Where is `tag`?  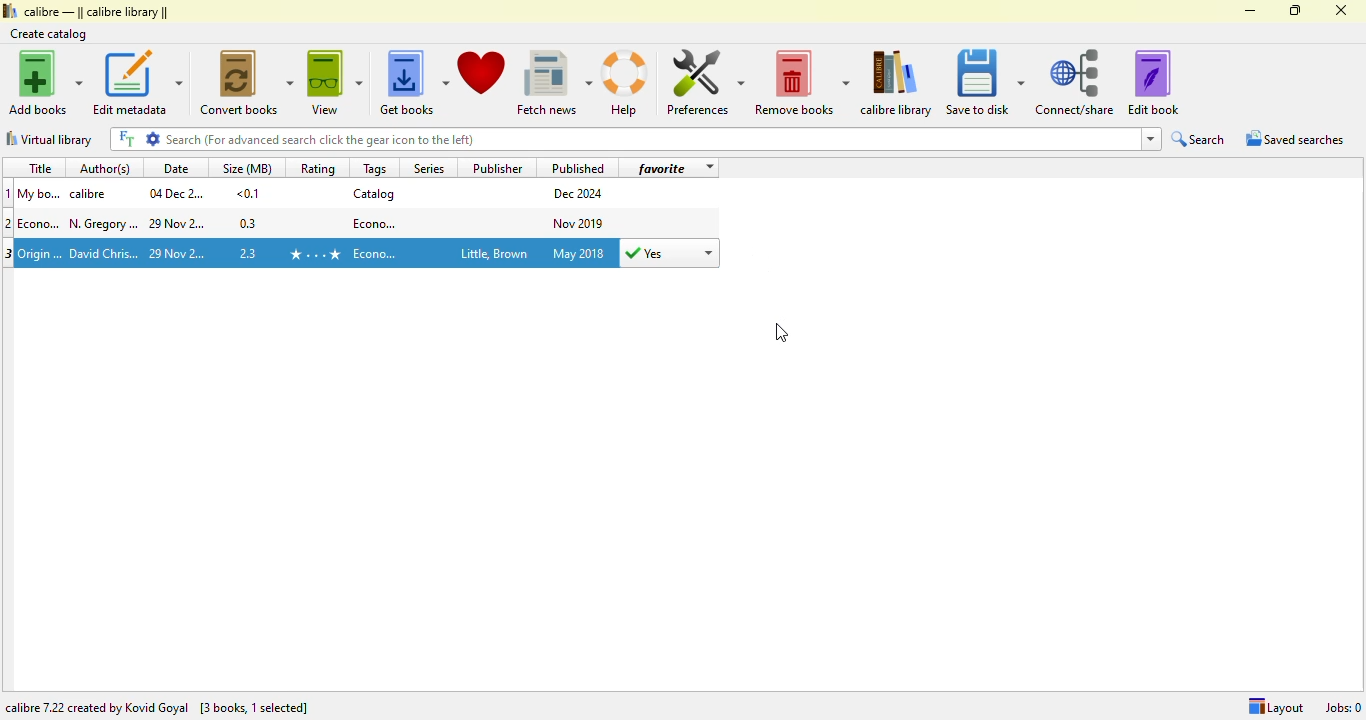 tag is located at coordinates (377, 254).